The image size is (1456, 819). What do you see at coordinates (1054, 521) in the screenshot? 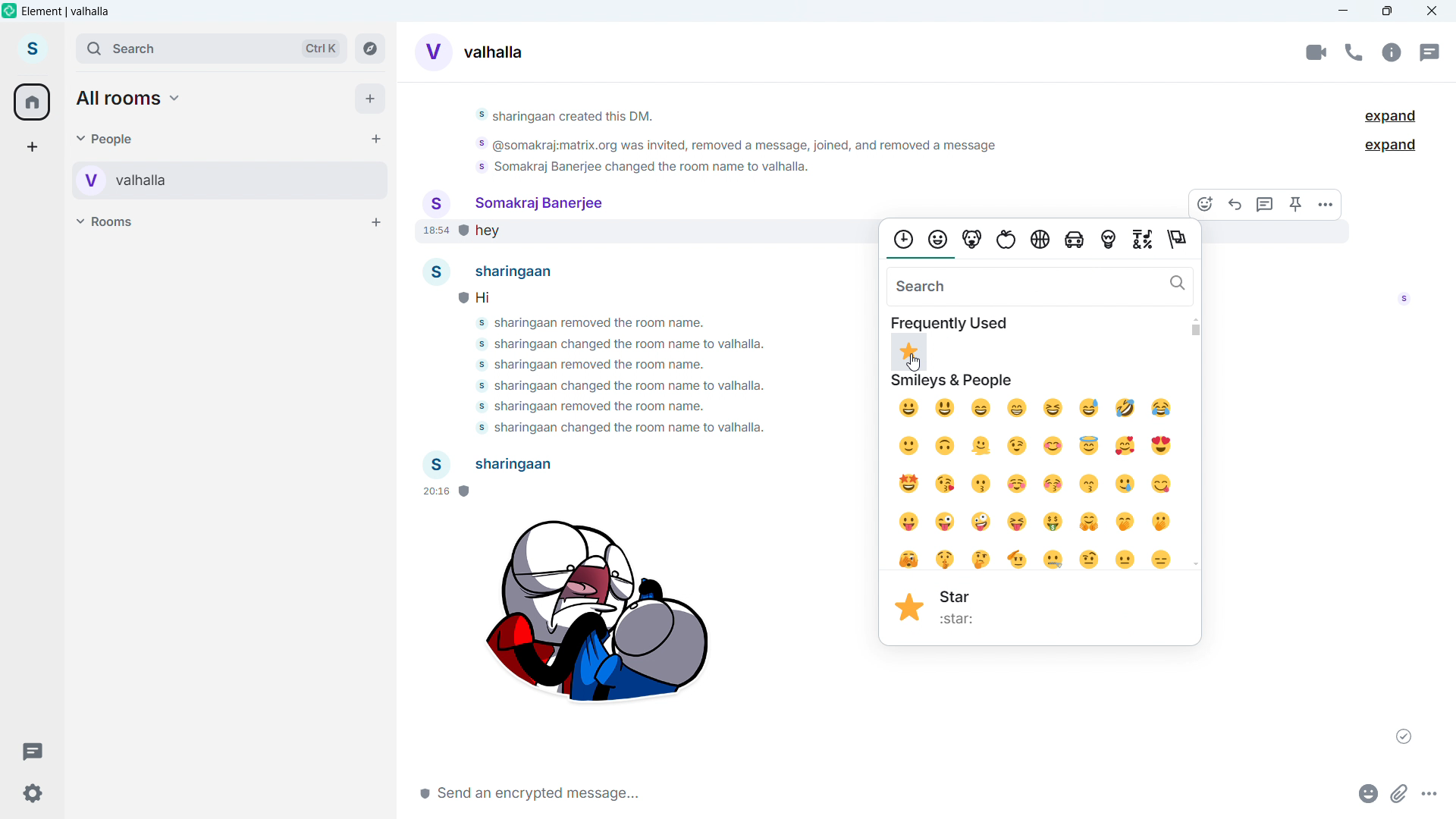
I see `money mouth face` at bounding box center [1054, 521].